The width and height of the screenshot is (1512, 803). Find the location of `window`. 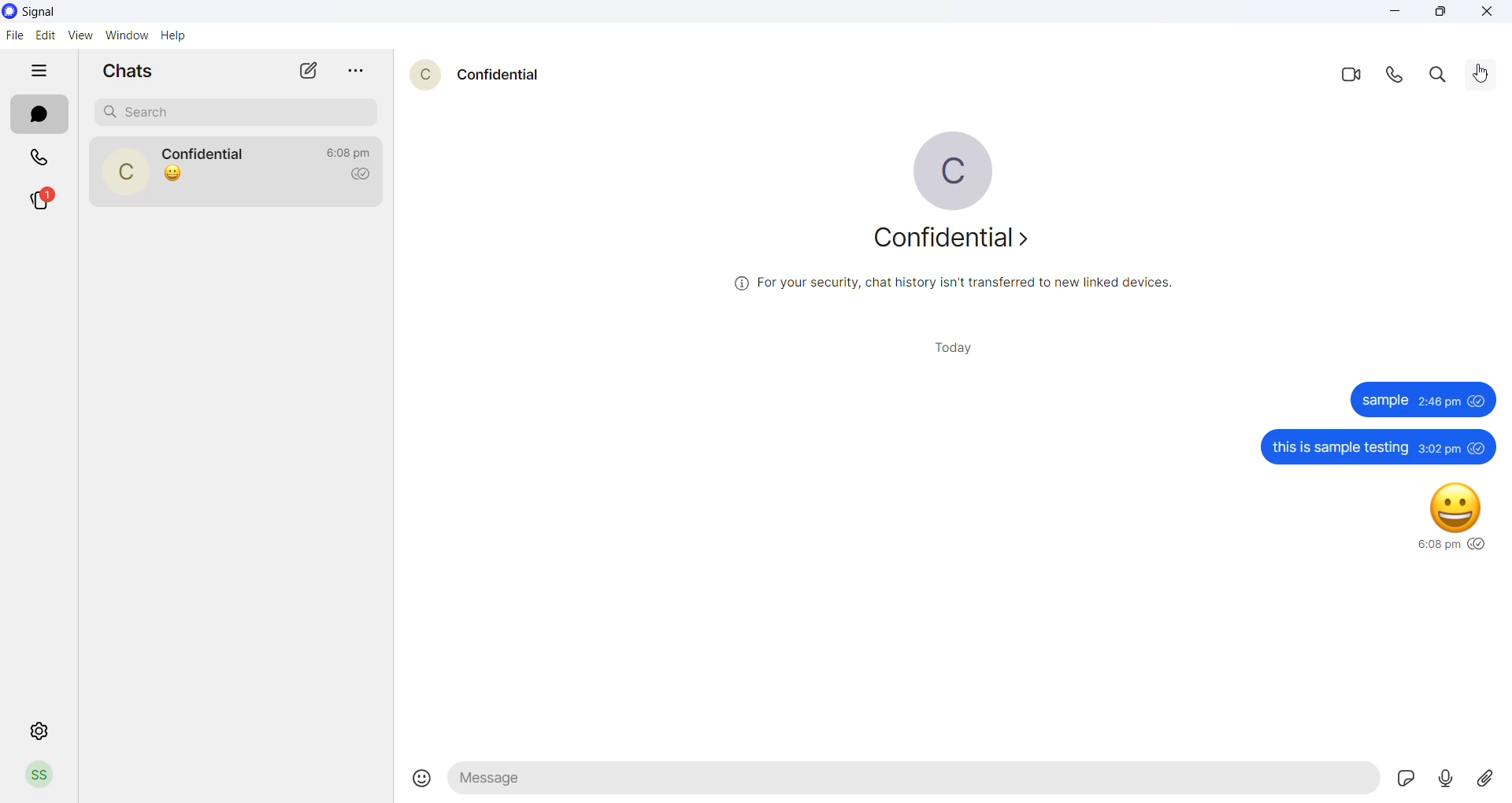

window is located at coordinates (125, 35).